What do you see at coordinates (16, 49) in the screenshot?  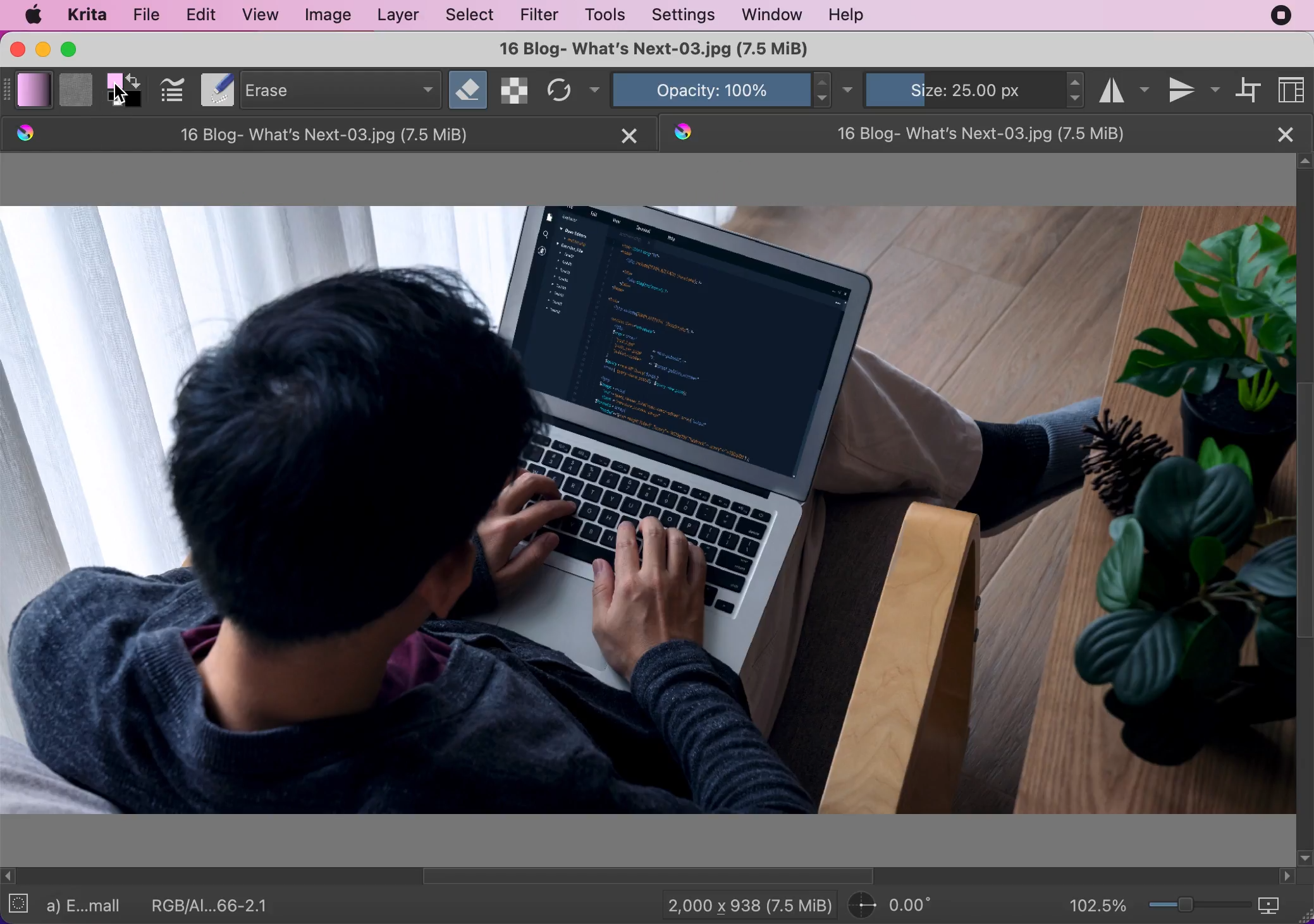 I see `close` at bounding box center [16, 49].